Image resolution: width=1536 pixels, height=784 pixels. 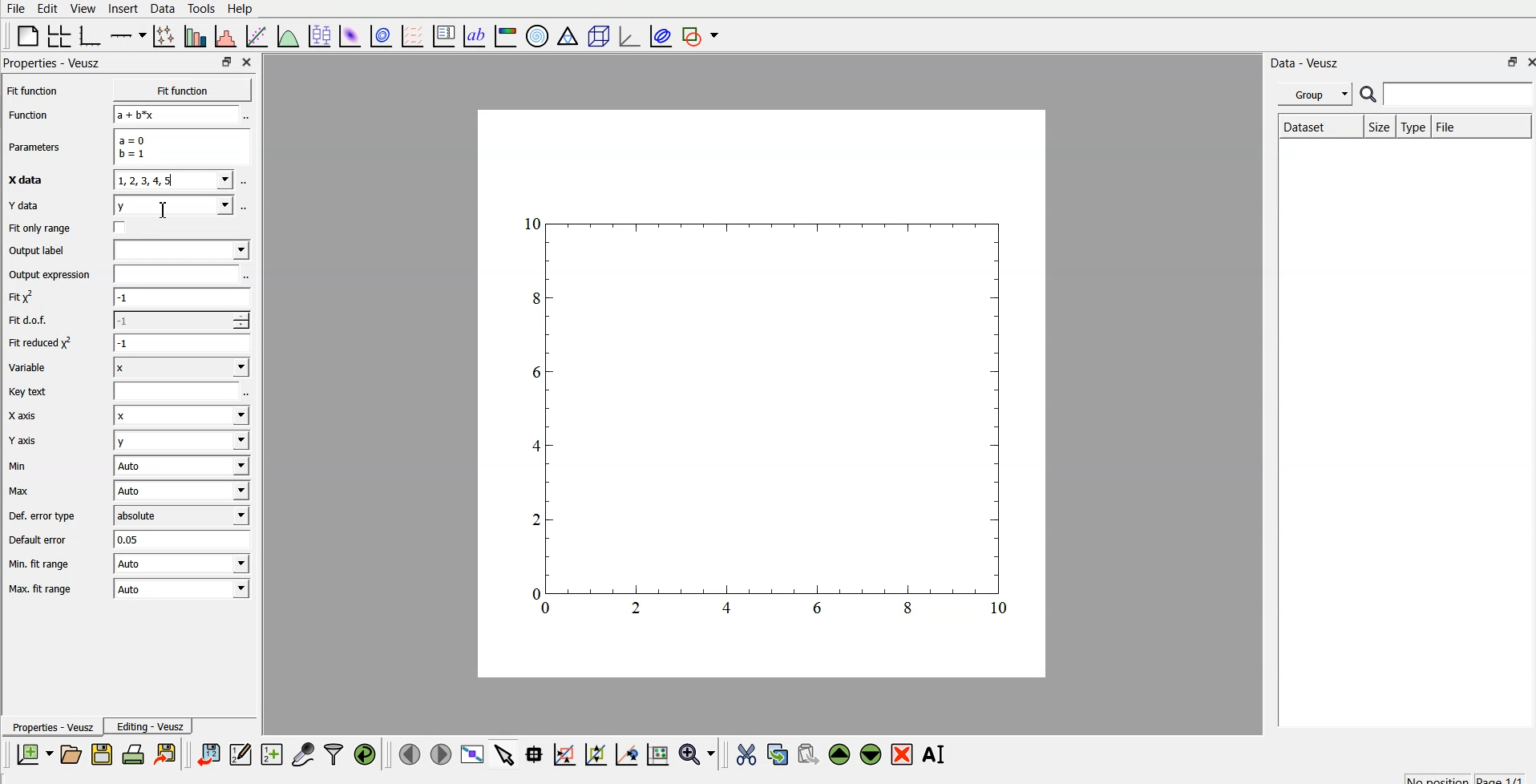 I want to click on a=0 b=1, so click(x=179, y=148).